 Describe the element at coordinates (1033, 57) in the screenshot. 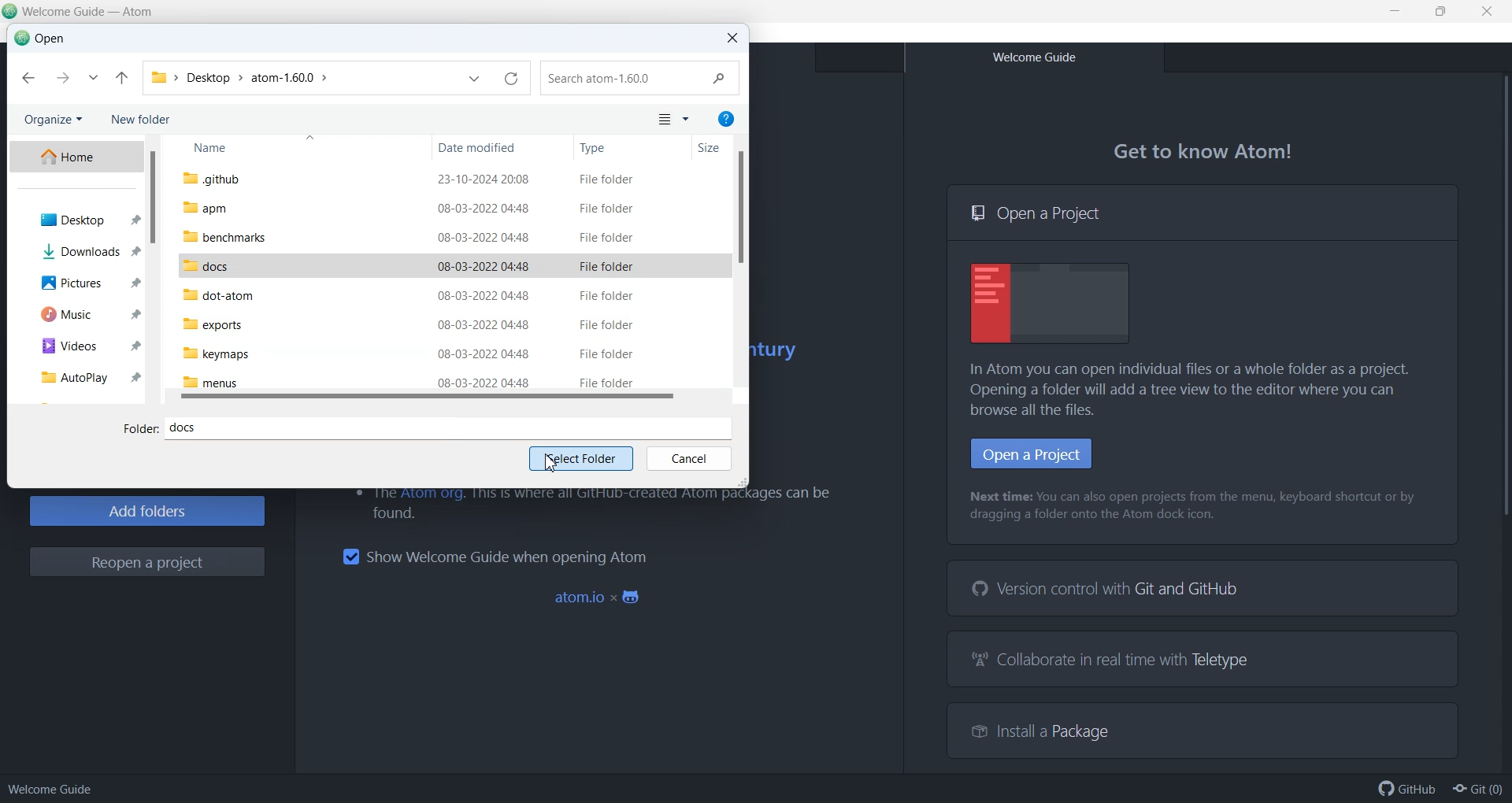

I see `Welcome Guide` at that location.